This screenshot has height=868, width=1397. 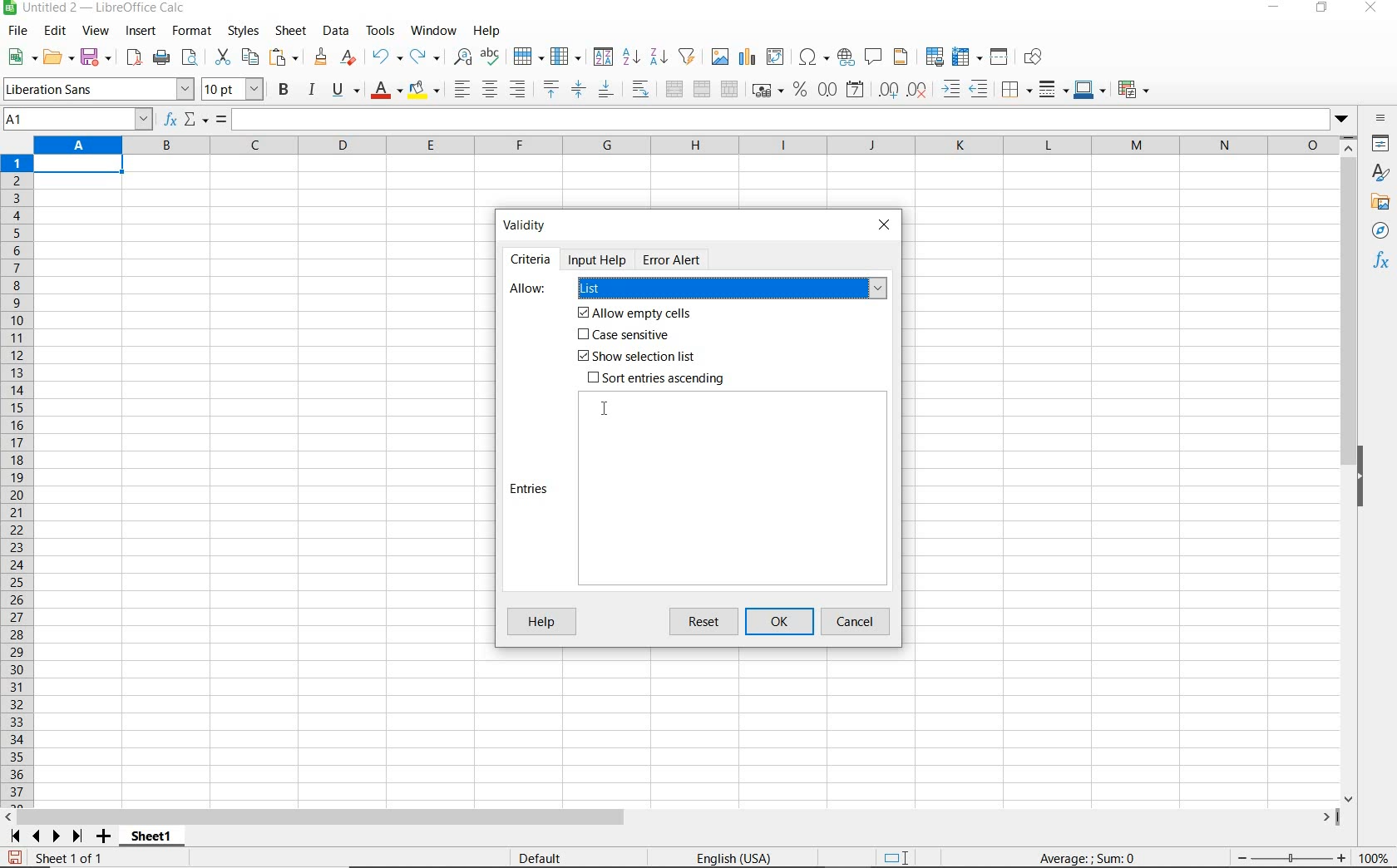 I want to click on Allow empty cells, so click(x=636, y=313).